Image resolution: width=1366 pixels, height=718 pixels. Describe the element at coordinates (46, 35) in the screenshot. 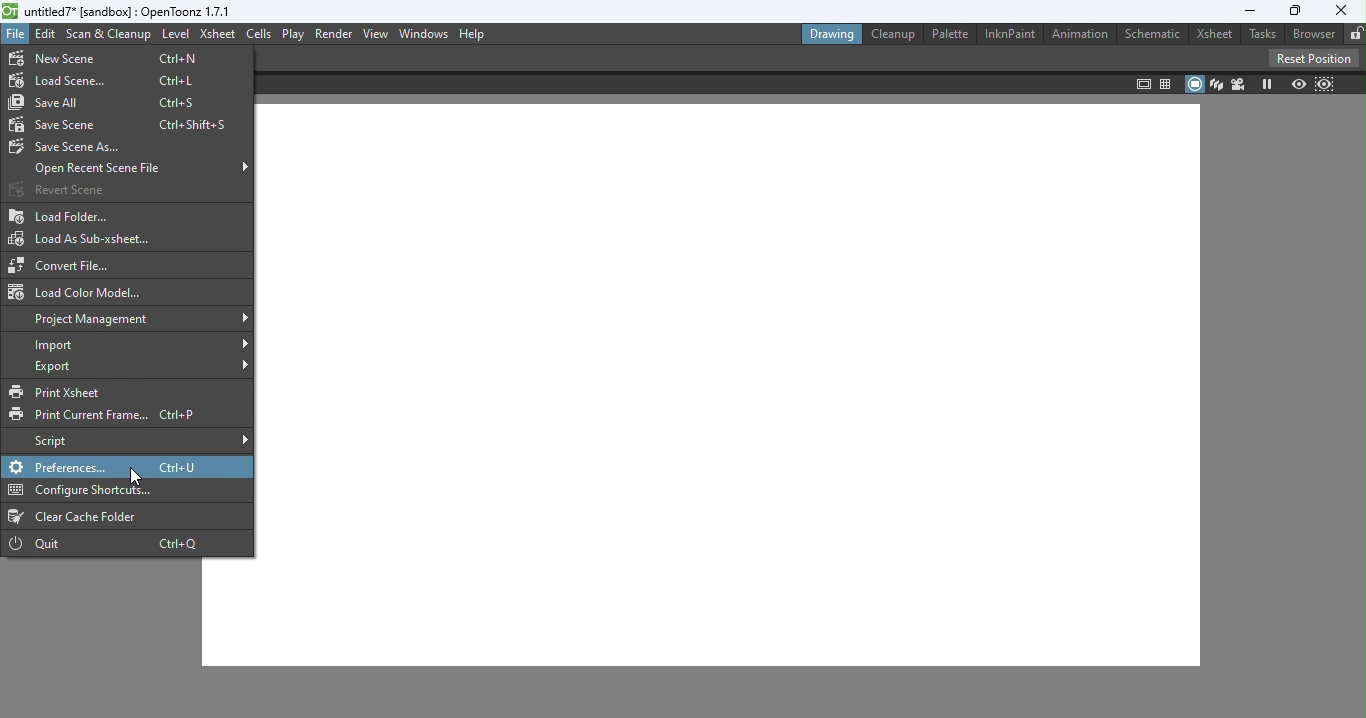

I see `Edit` at that location.